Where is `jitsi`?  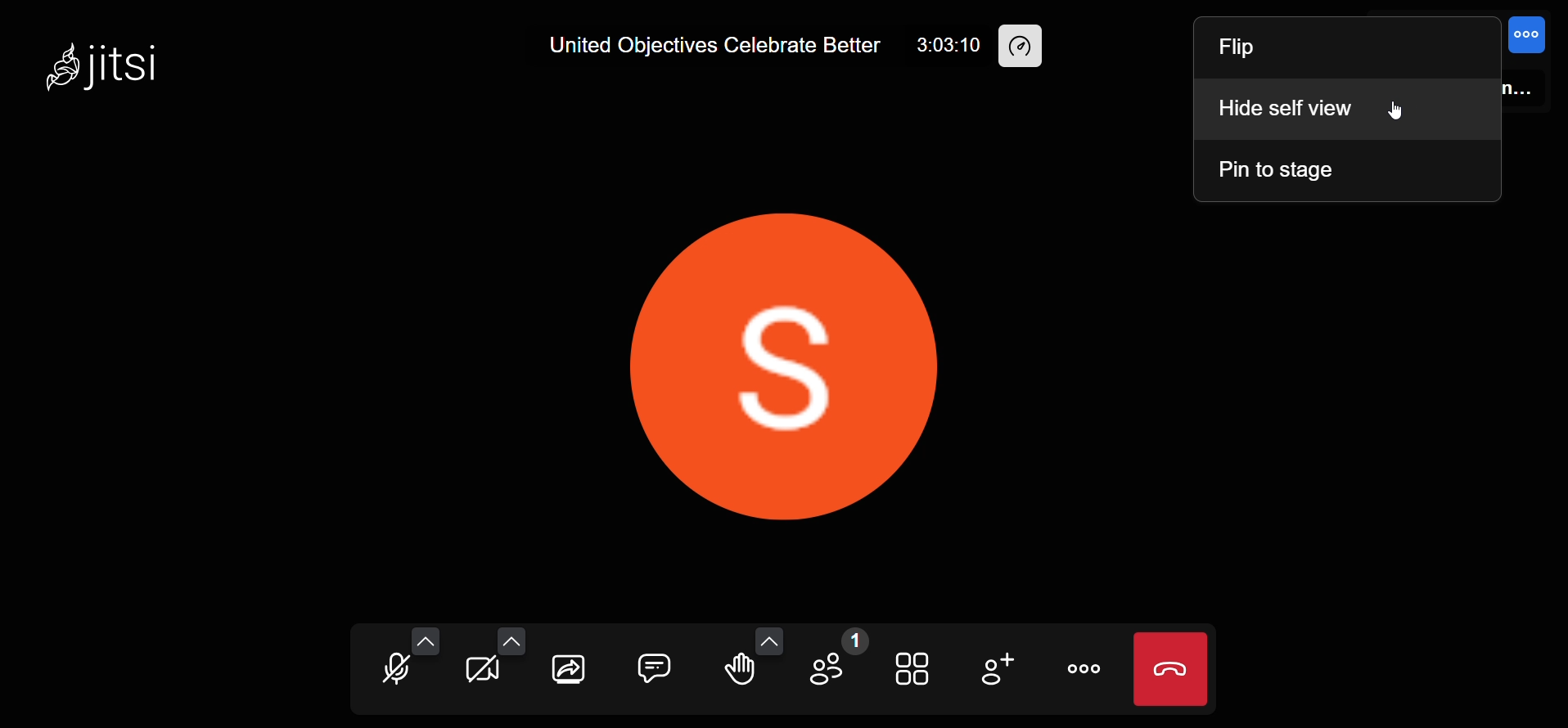 jitsi is located at coordinates (103, 65).